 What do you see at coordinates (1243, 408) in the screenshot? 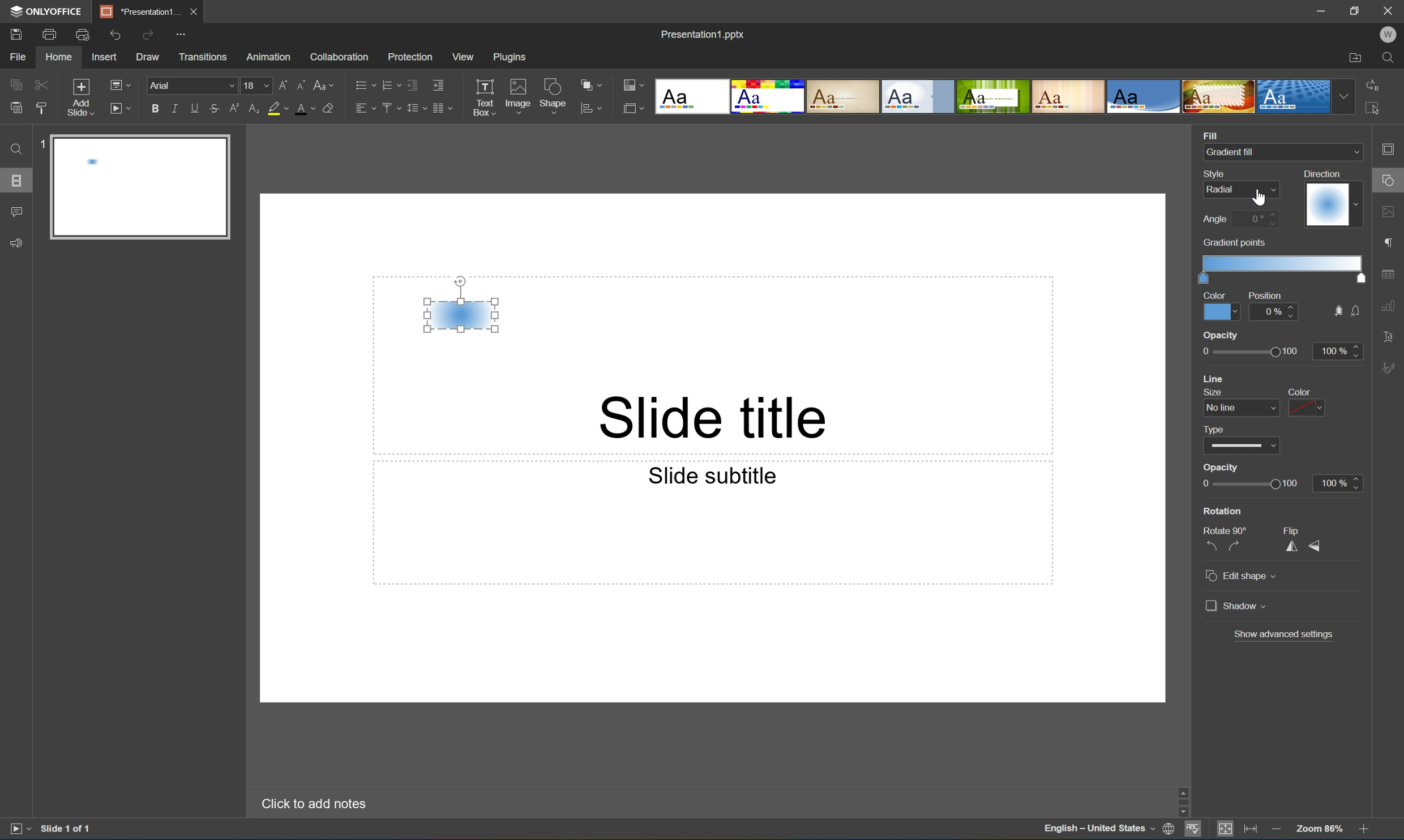
I see `line size dropdown` at bounding box center [1243, 408].